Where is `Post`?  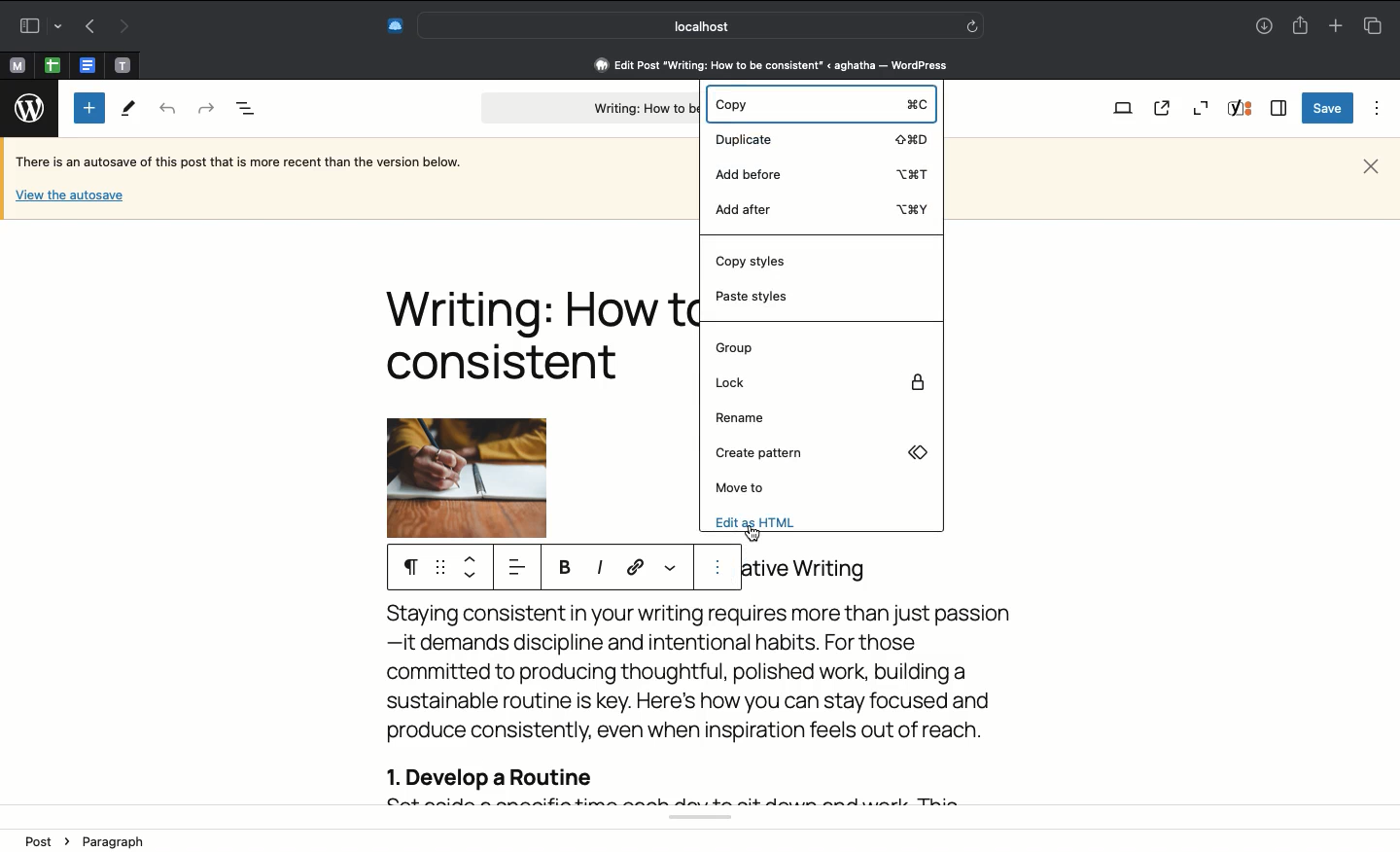
Post is located at coordinates (586, 110).